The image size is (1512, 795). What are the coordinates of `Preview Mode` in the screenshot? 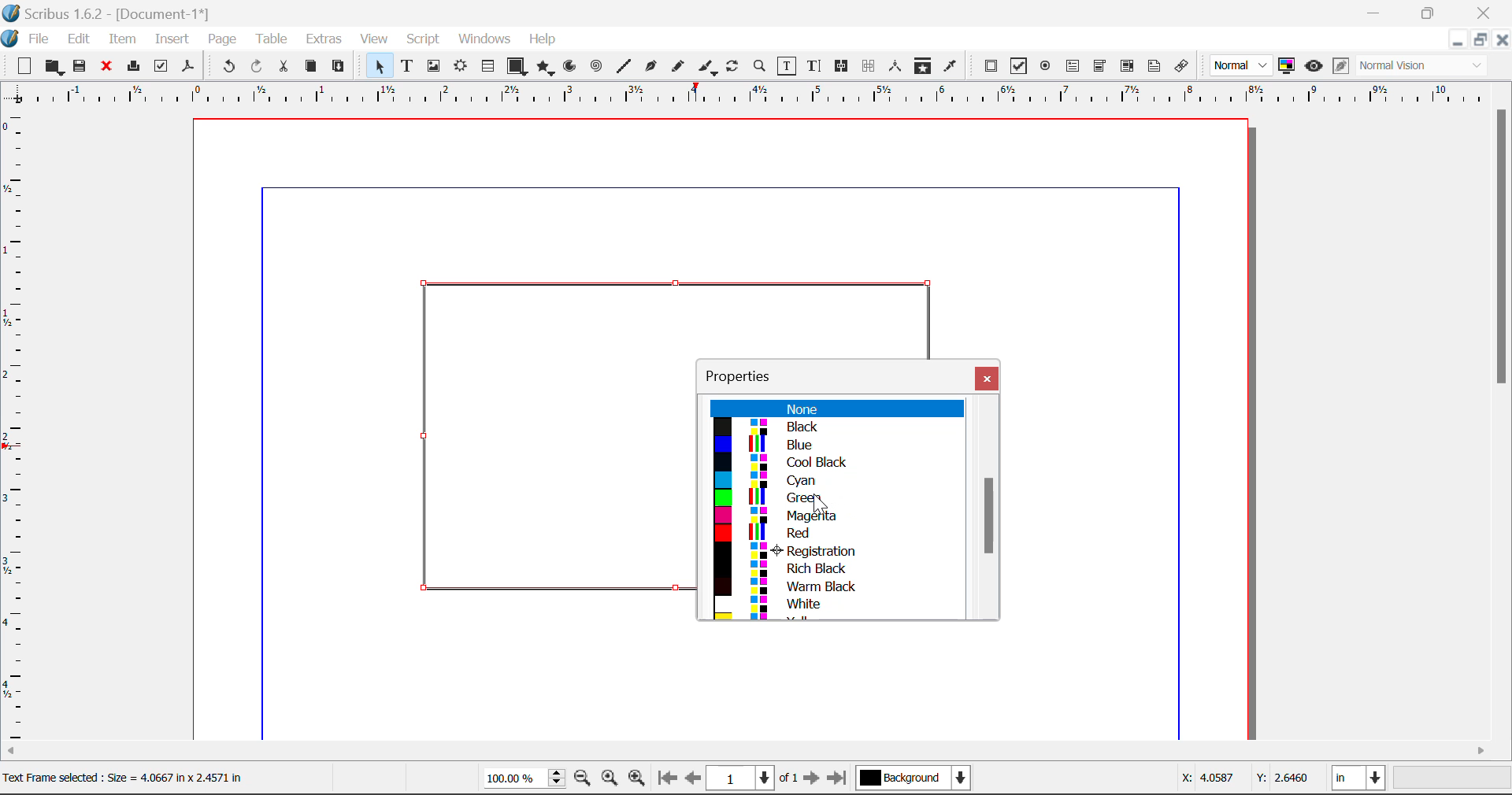 It's located at (1242, 66).